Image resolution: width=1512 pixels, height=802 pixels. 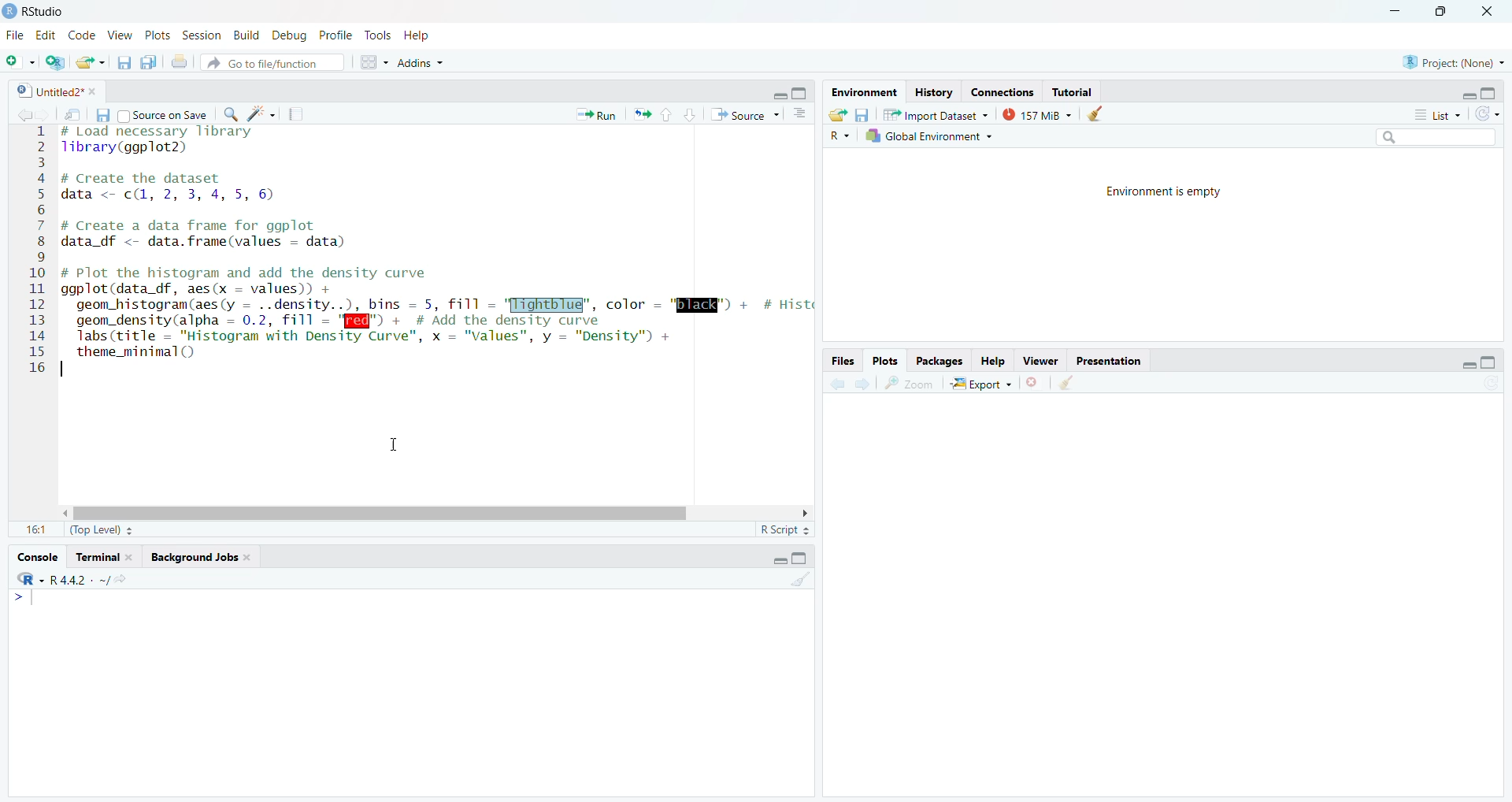 I want to click on maximize, so click(x=799, y=94).